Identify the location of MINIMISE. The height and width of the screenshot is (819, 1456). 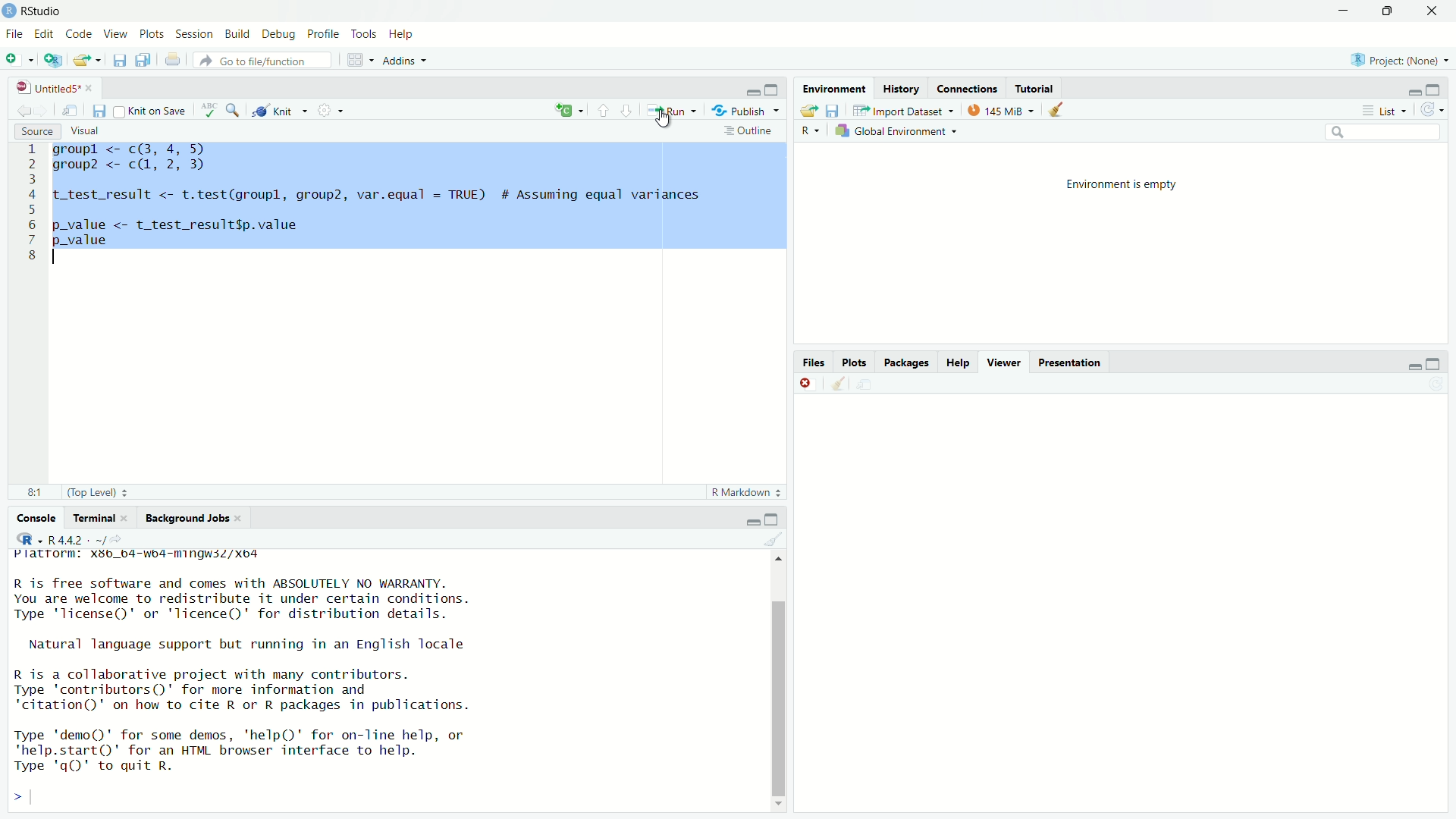
(1341, 13).